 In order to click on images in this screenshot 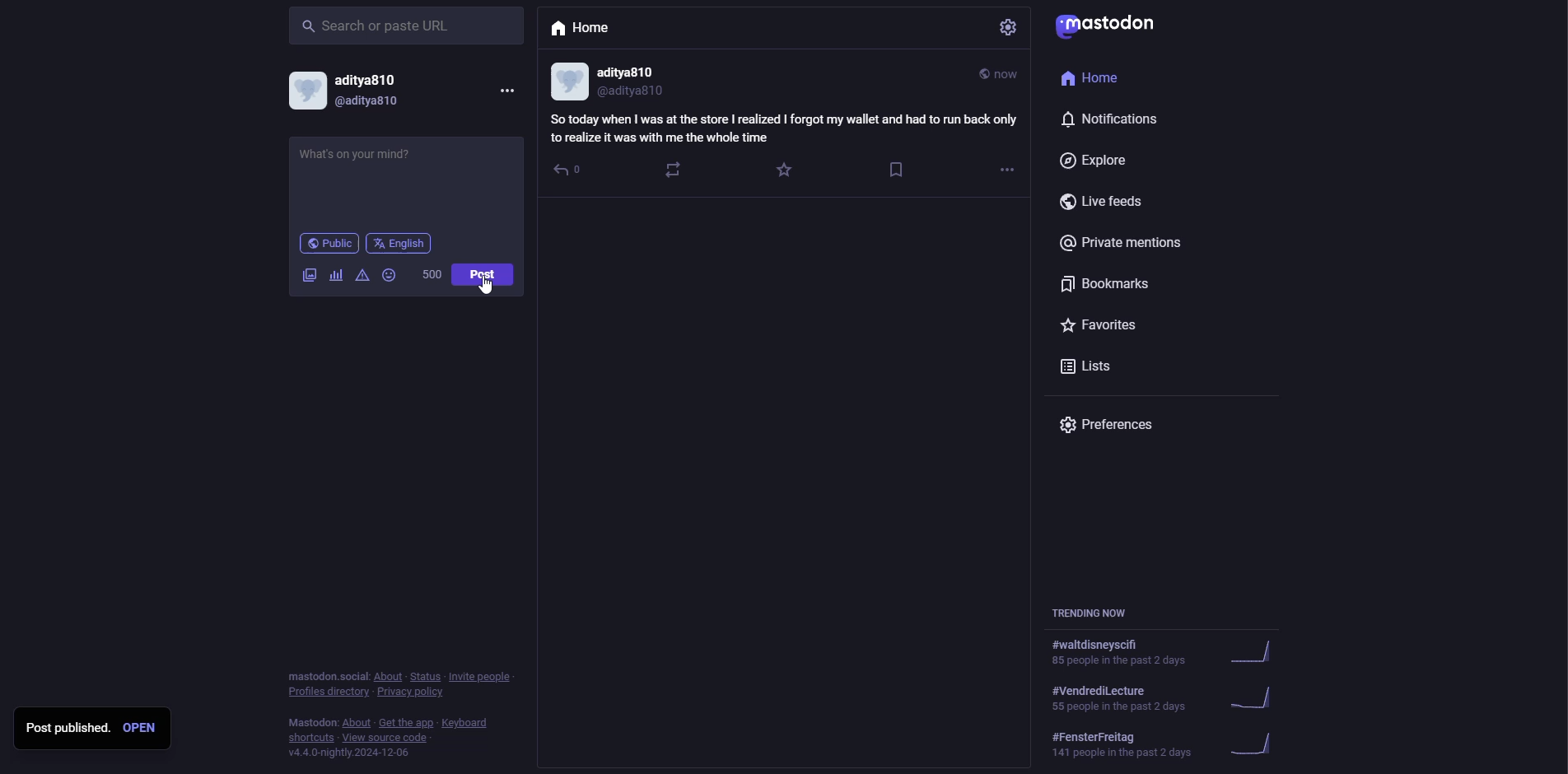, I will do `click(309, 274)`.